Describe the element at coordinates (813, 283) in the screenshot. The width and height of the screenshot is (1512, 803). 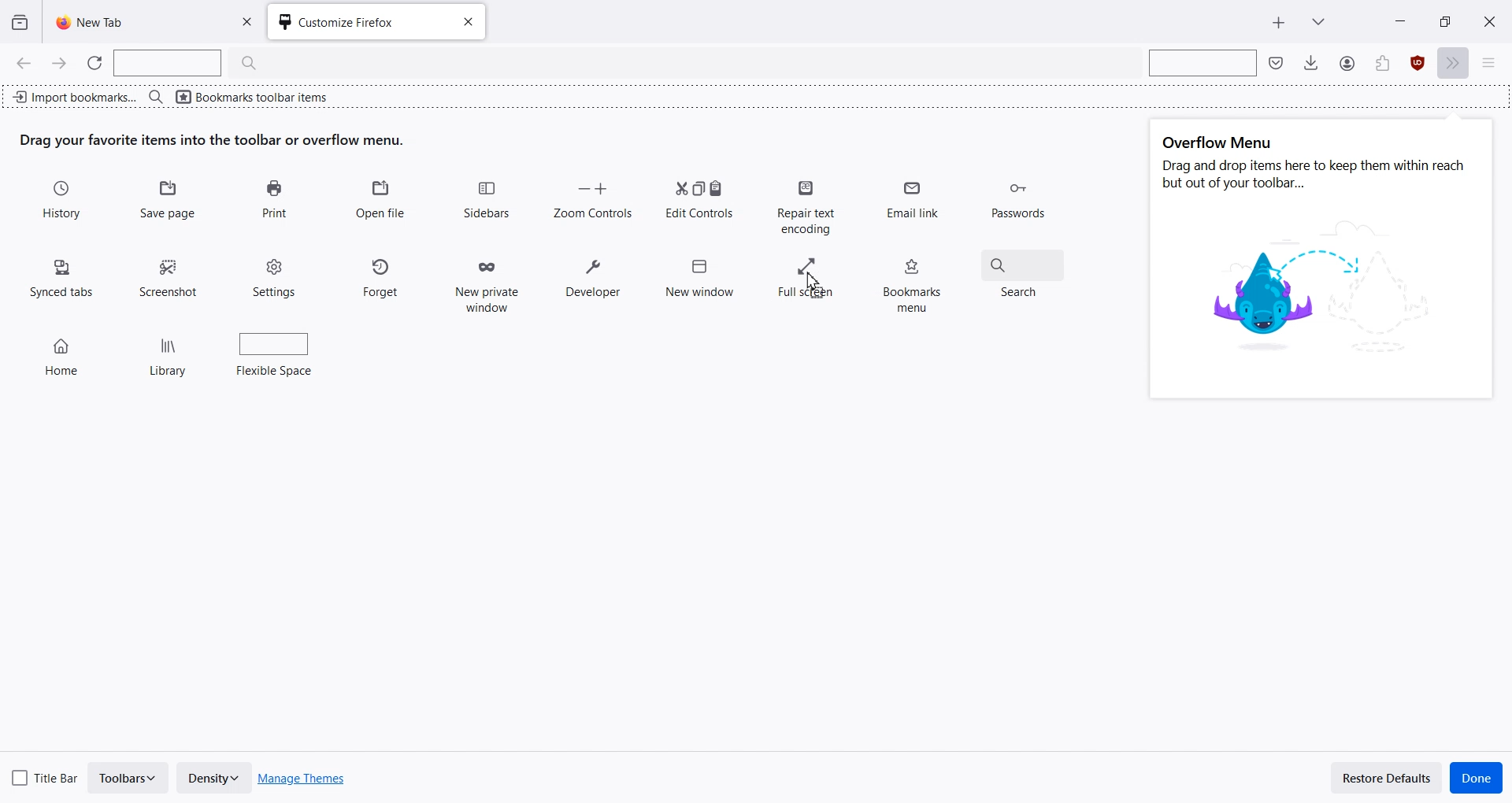
I see `Drag cursor` at that location.